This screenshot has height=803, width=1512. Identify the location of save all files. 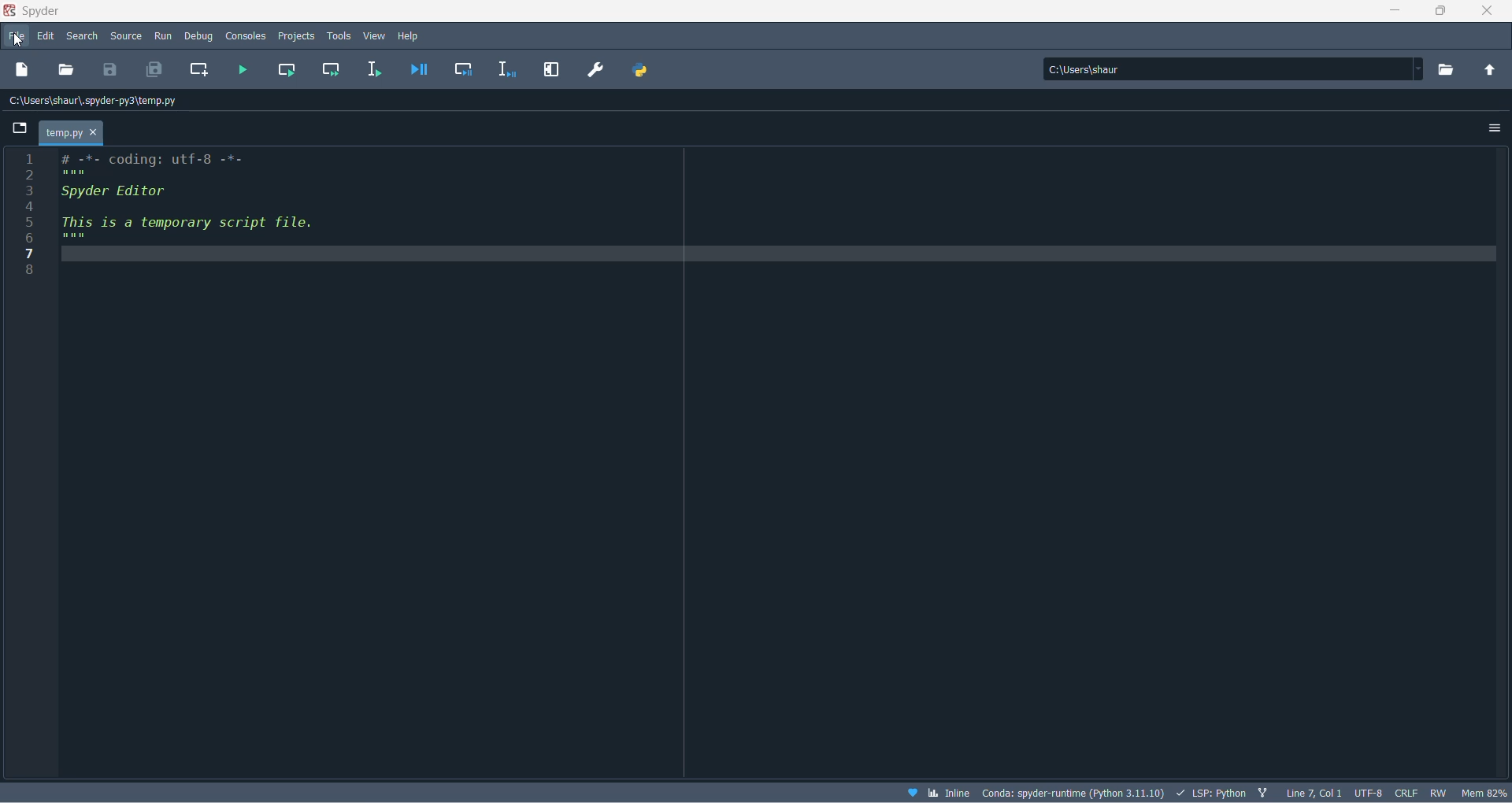
(154, 69).